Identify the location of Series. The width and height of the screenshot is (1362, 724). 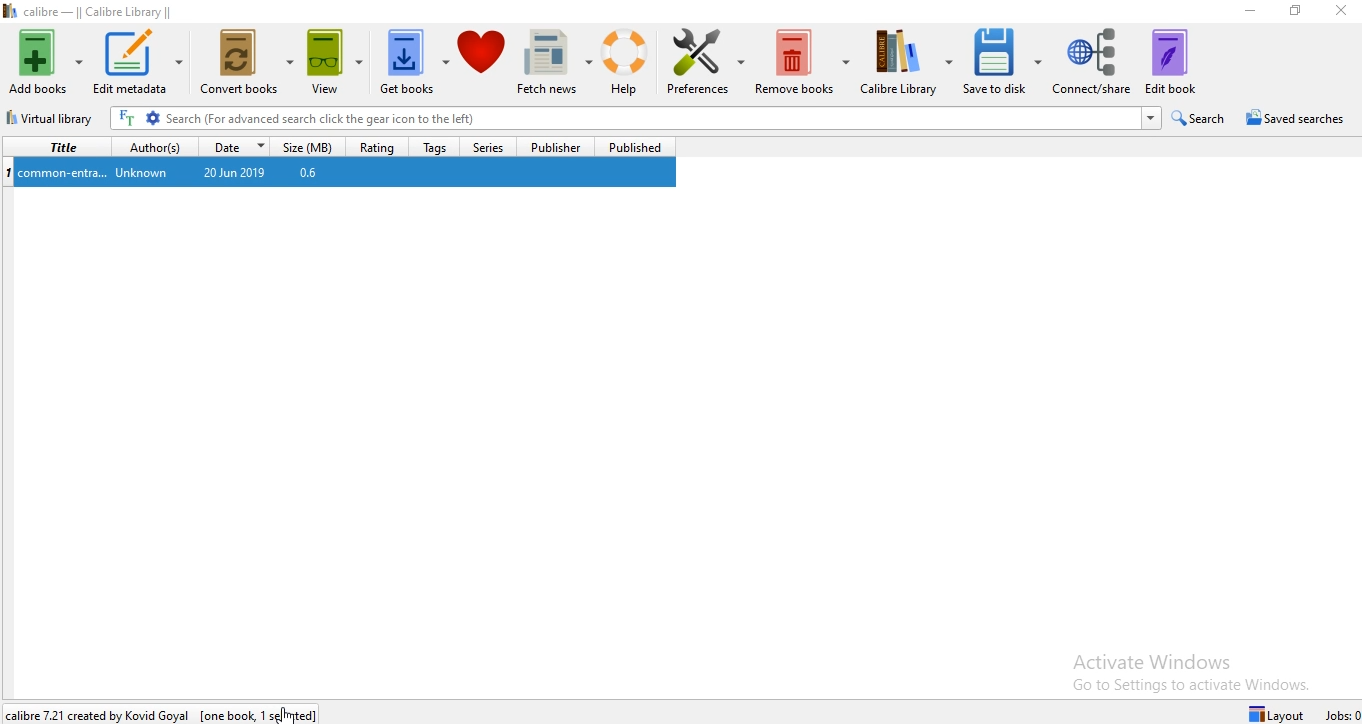
(485, 147).